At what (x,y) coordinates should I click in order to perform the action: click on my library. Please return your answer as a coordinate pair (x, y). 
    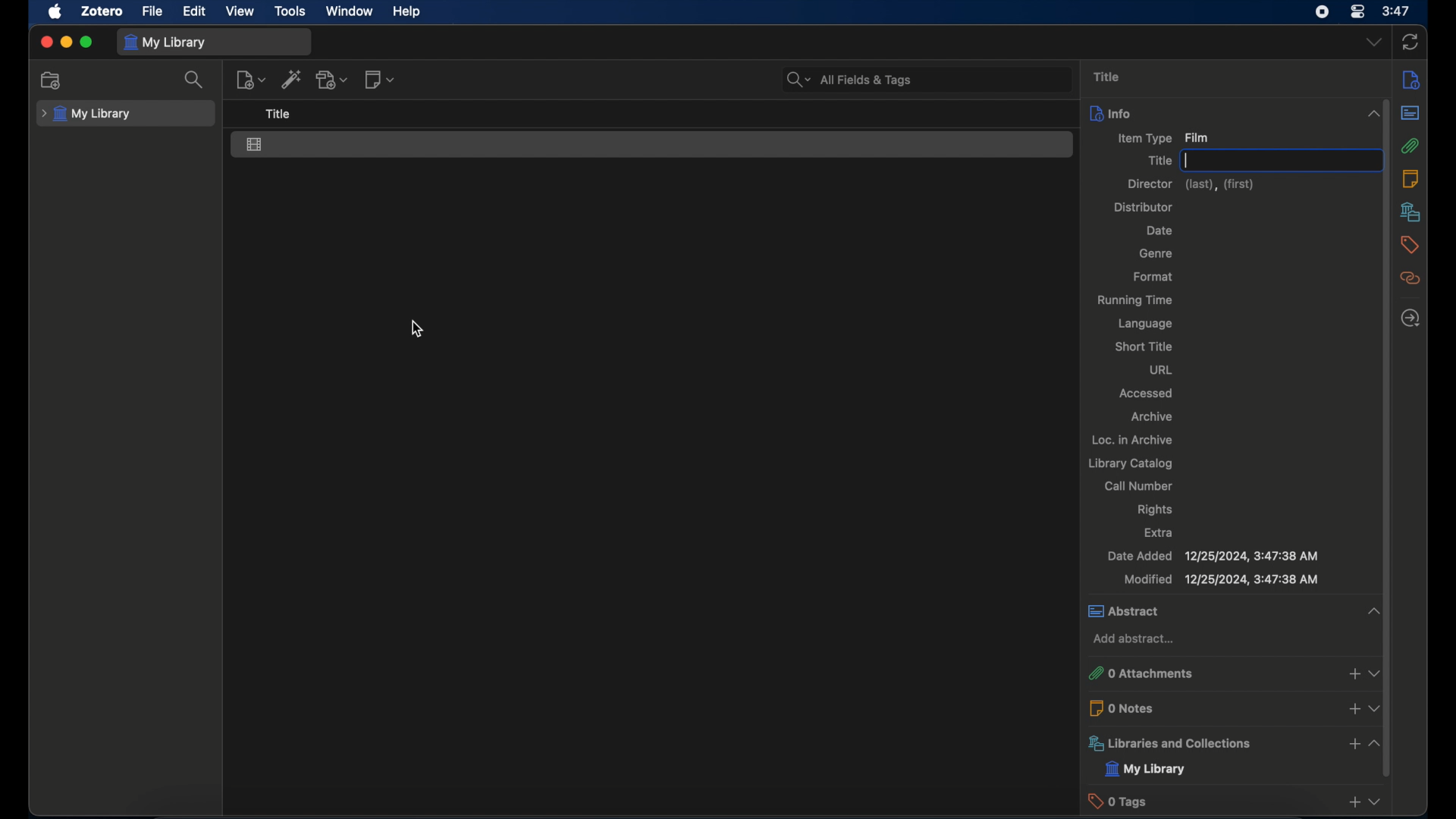
    Looking at the image, I should click on (1146, 769).